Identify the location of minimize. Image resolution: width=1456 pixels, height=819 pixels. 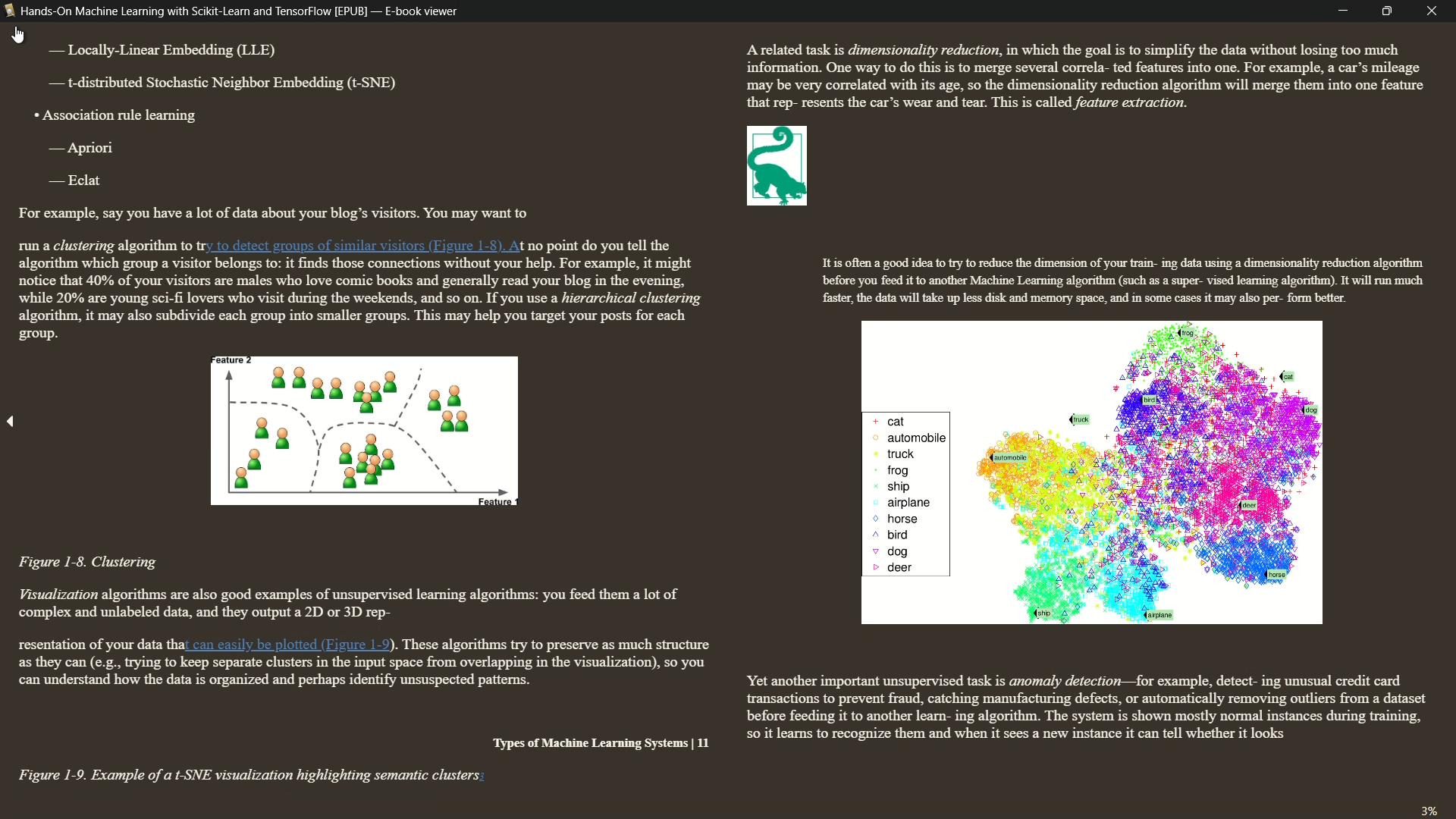
(1343, 11).